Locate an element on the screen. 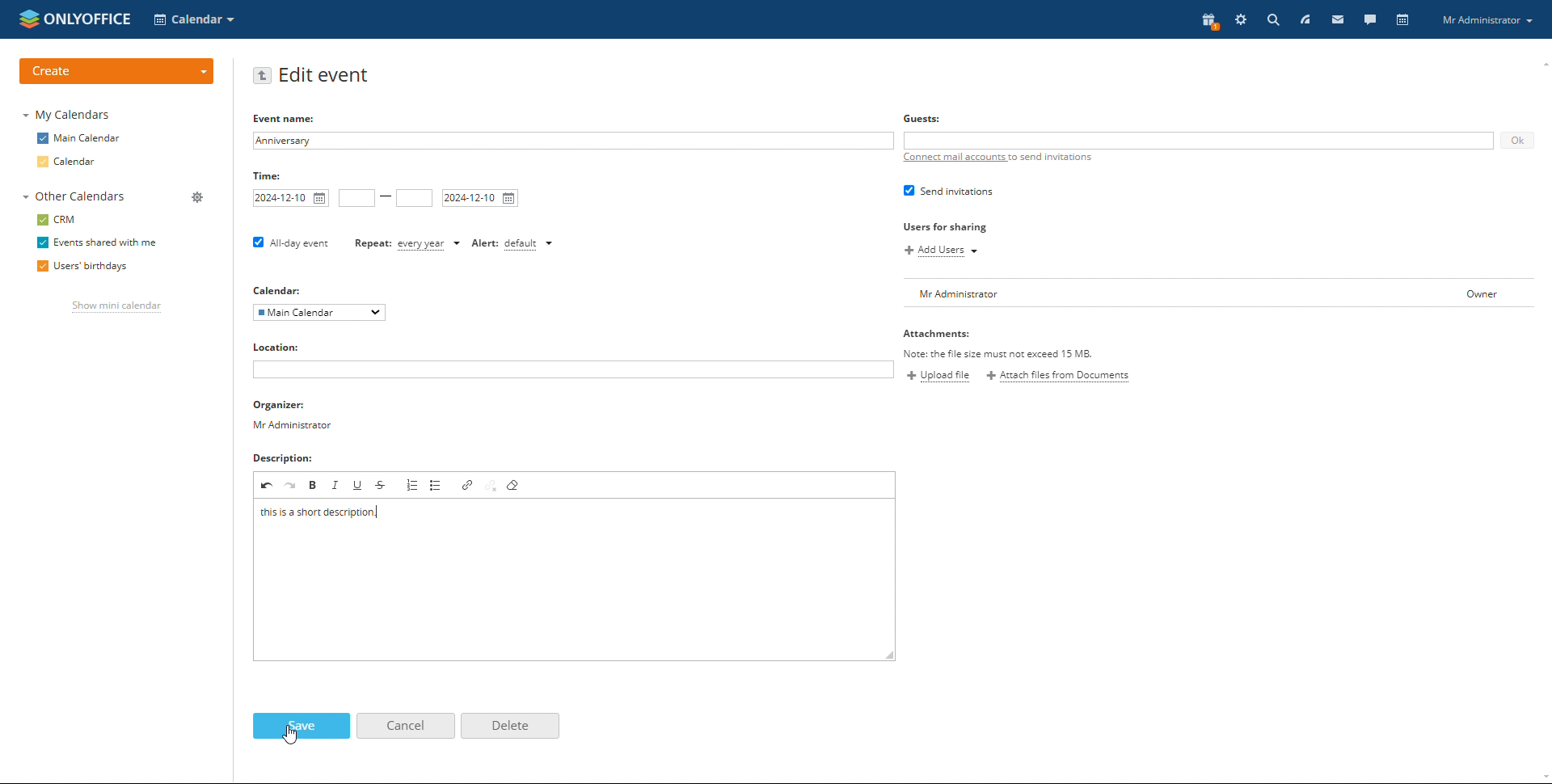 The image size is (1552, 784). Attachments: is located at coordinates (943, 335).